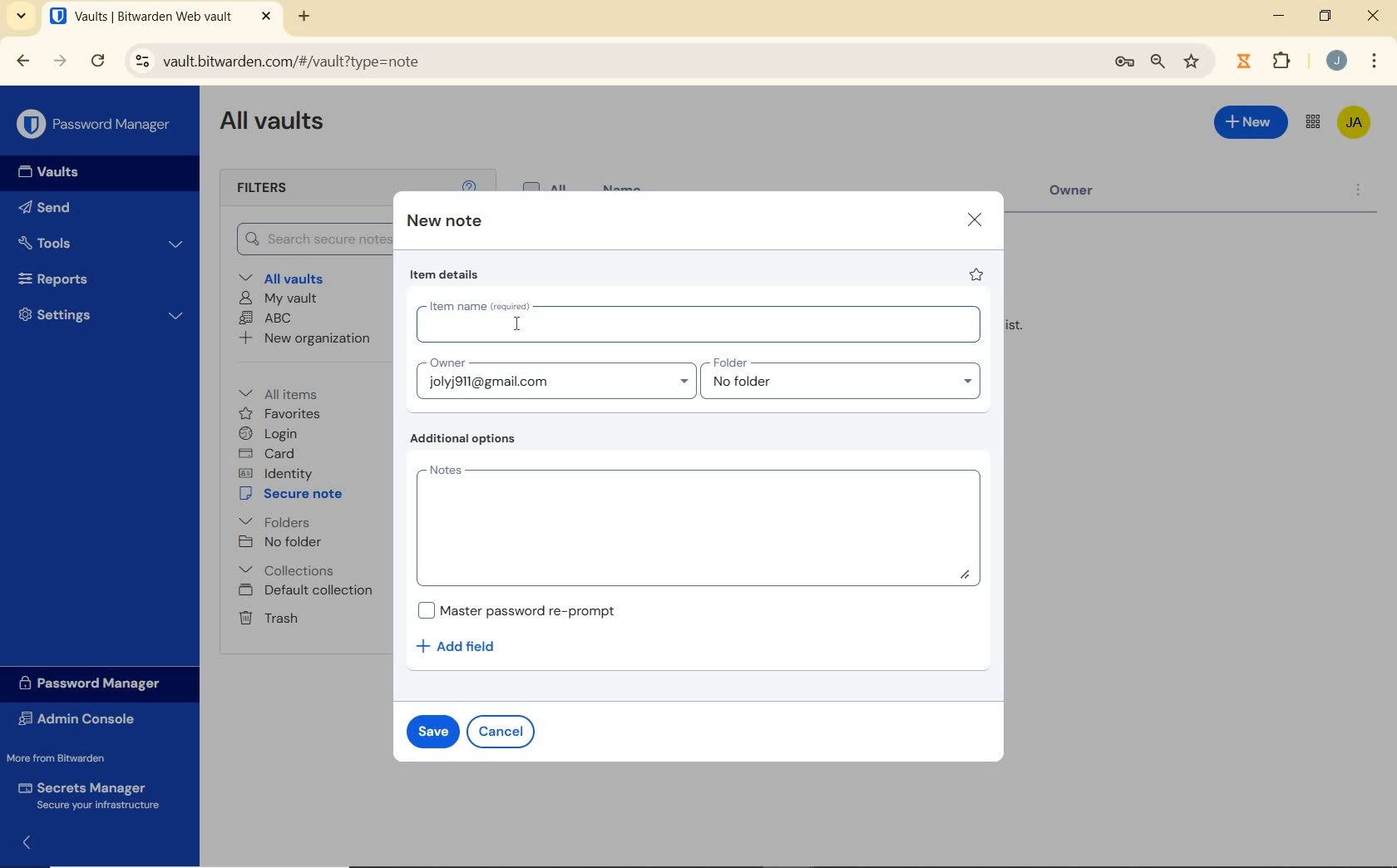 Image resolution: width=1397 pixels, height=868 pixels. I want to click on Search Vault, so click(306, 240).